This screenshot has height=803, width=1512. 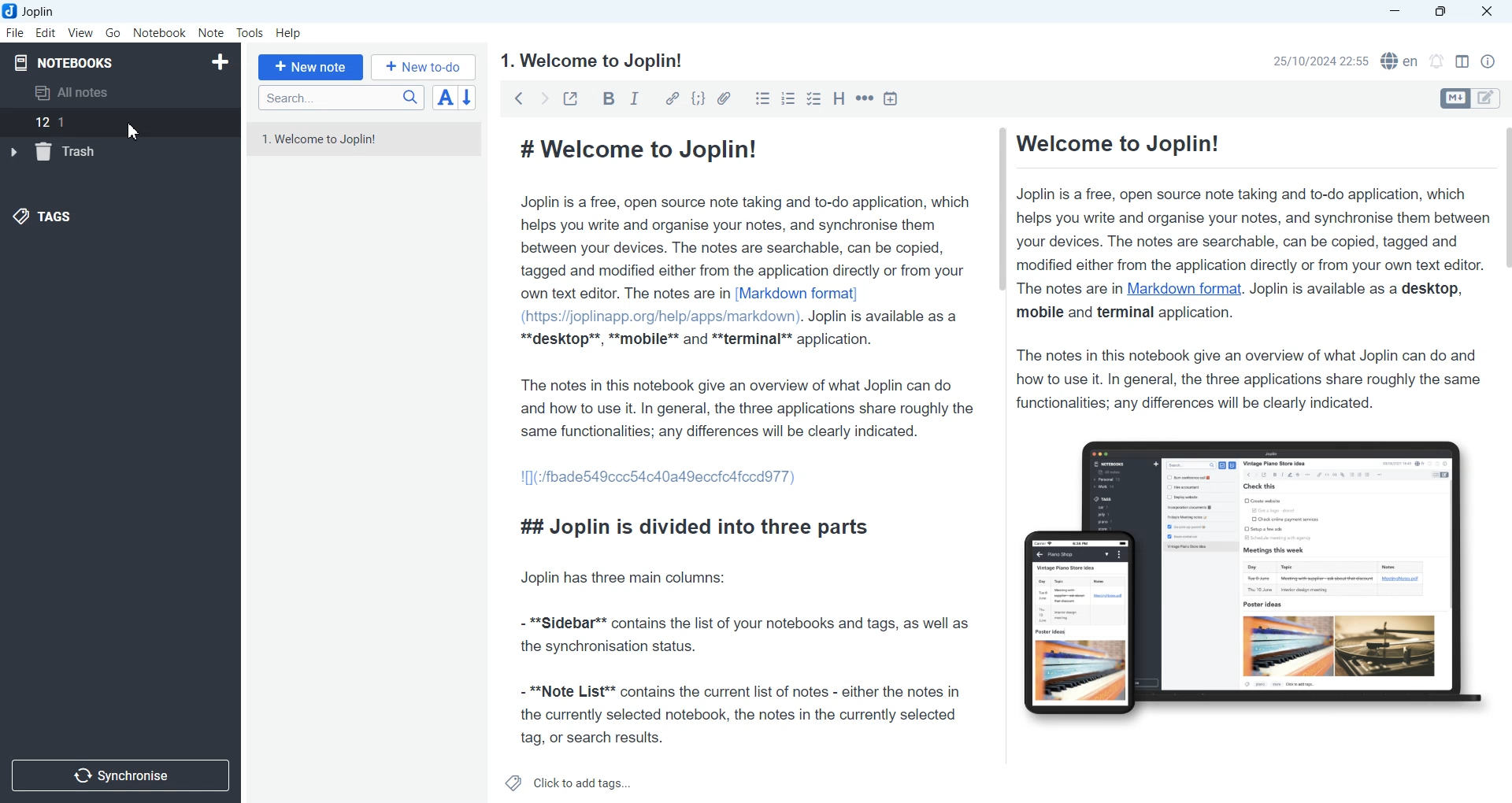 I want to click on Go, so click(x=114, y=32).